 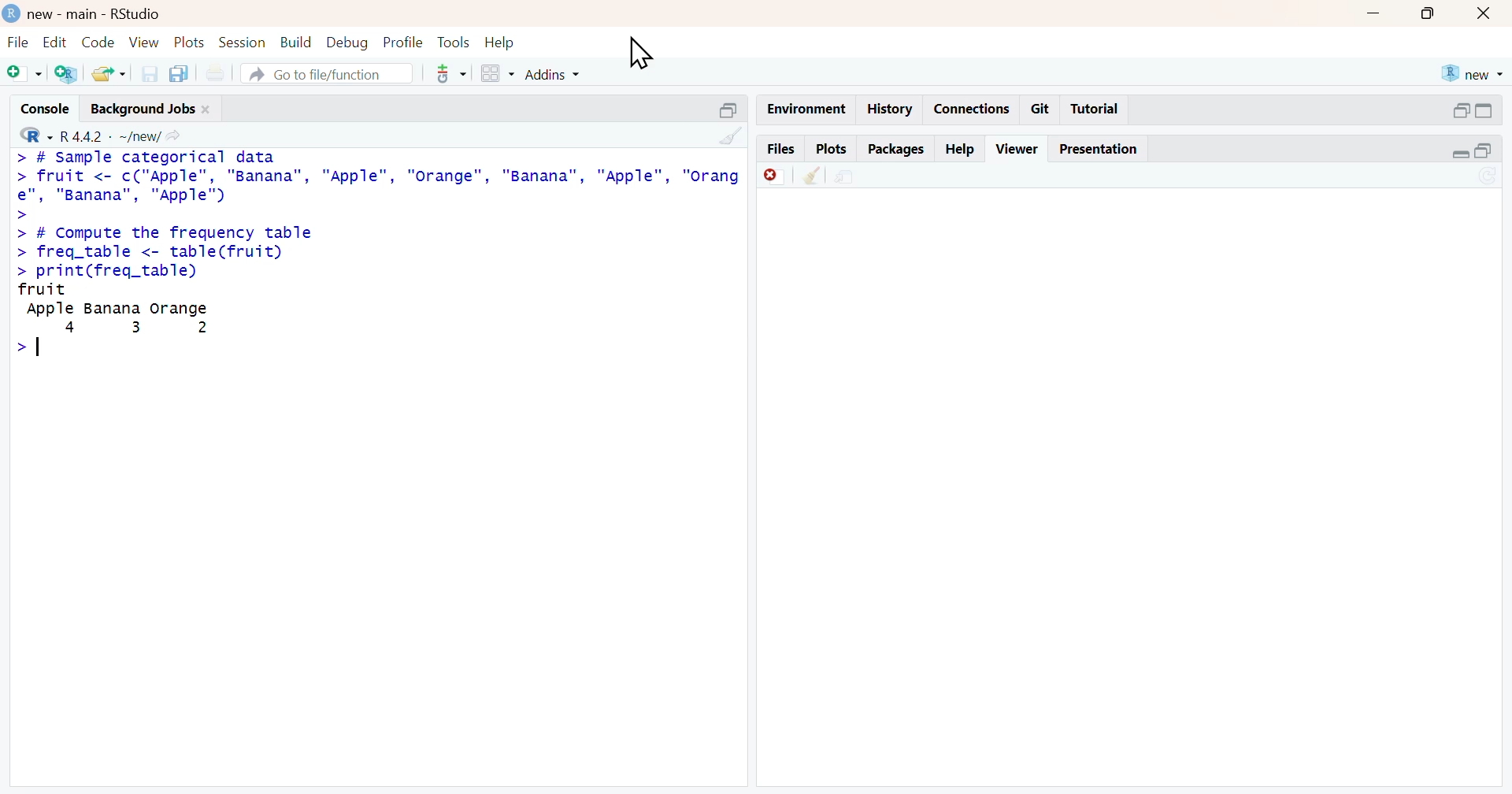 I want to click on background jobs, so click(x=150, y=110).